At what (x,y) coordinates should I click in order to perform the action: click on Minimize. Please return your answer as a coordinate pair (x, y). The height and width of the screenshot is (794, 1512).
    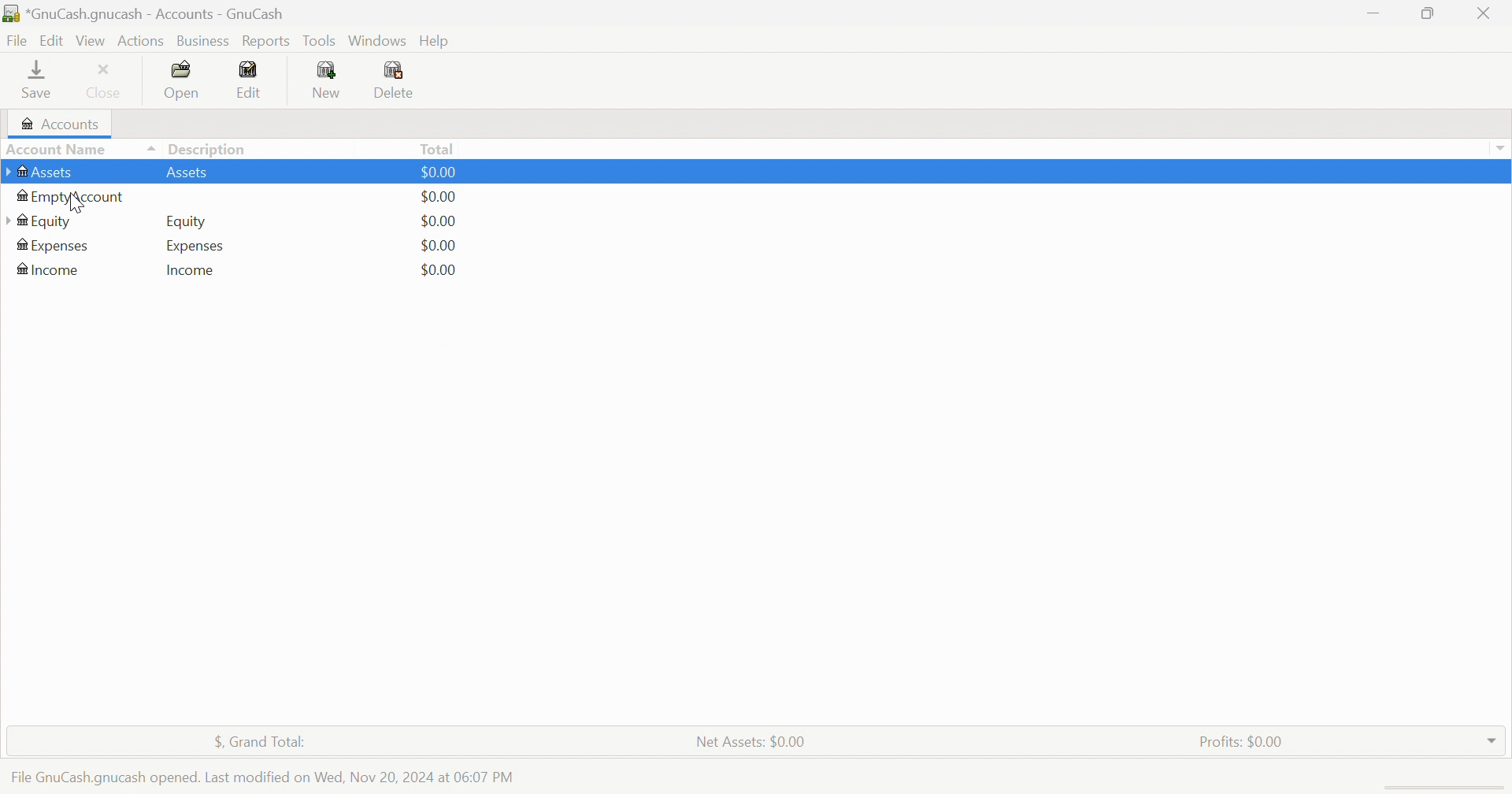
    Looking at the image, I should click on (1374, 17).